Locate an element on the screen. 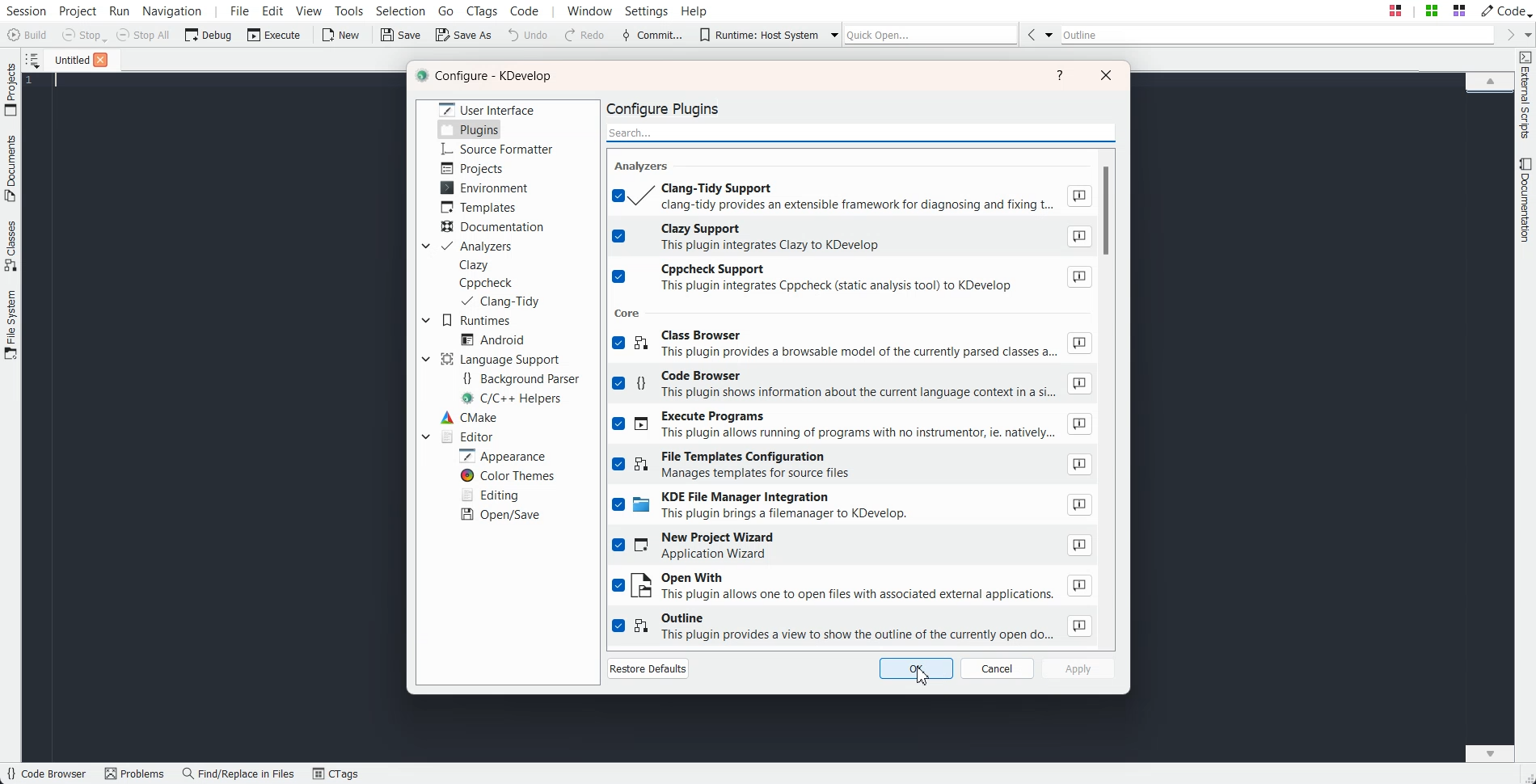 Image resolution: width=1536 pixels, height=784 pixels. Cppcheck Support is located at coordinates (853, 279).